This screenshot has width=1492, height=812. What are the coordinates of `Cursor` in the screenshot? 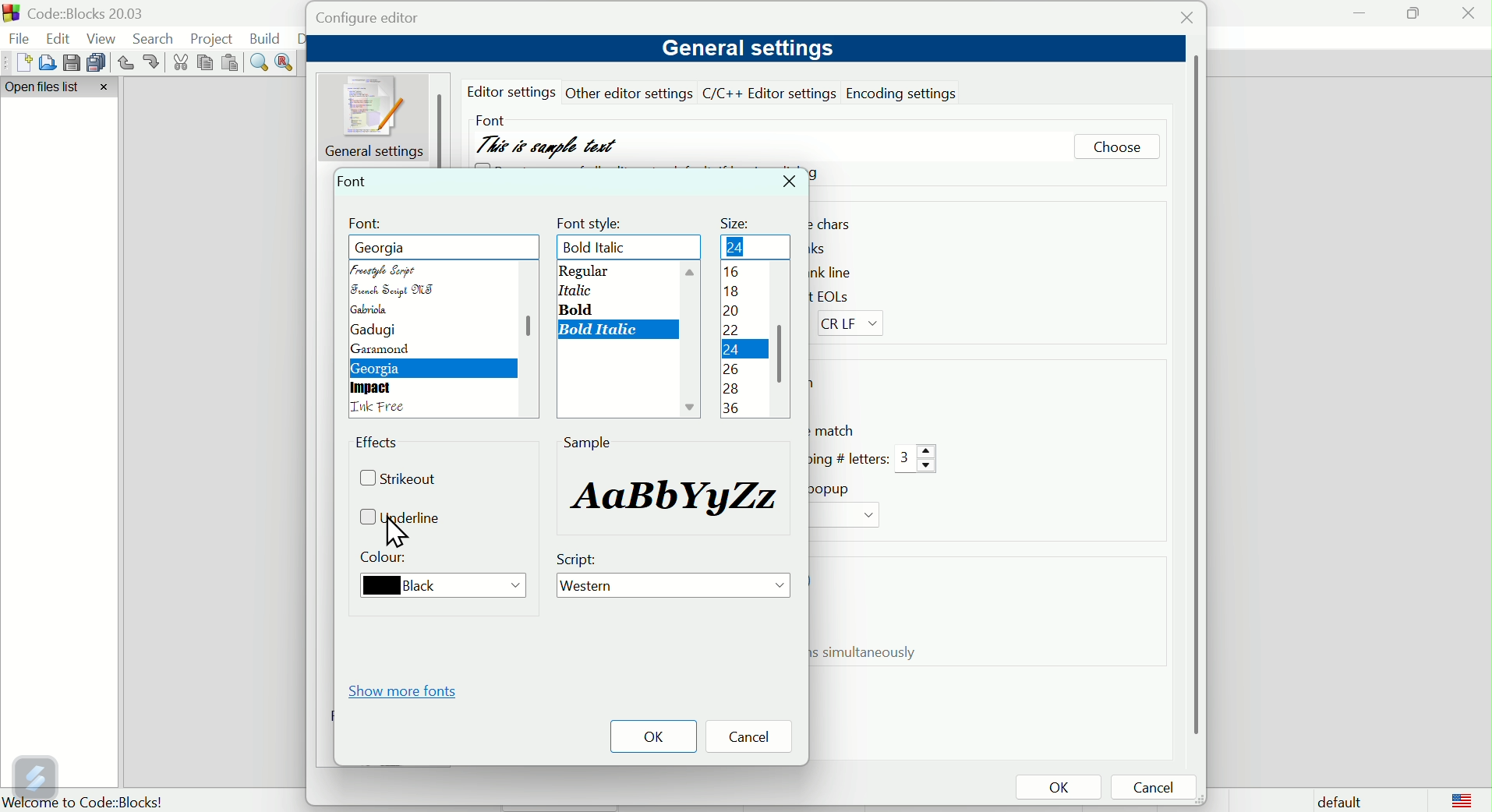 It's located at (398, 531).